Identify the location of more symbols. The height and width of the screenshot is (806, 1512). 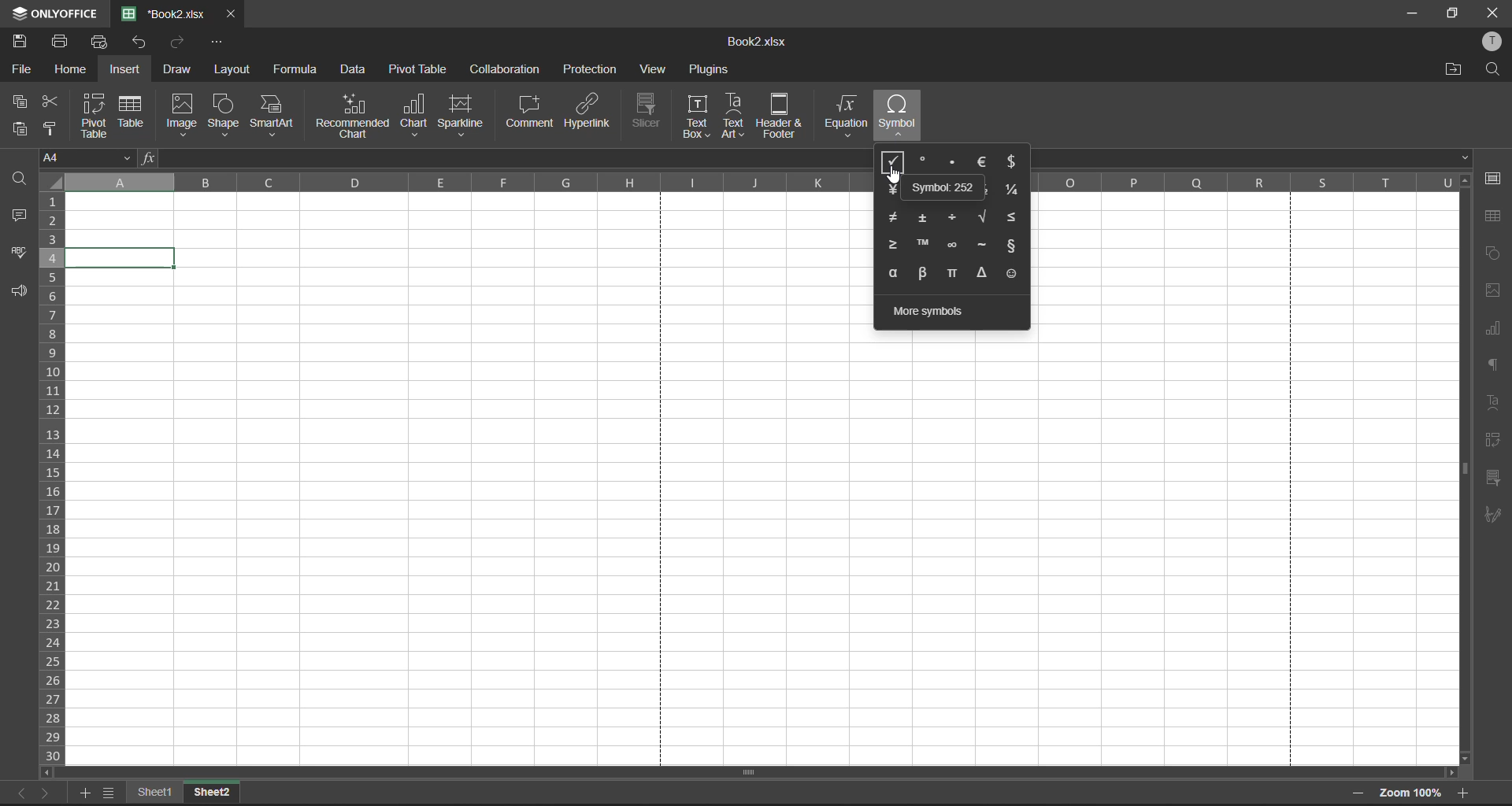
(937, 312).